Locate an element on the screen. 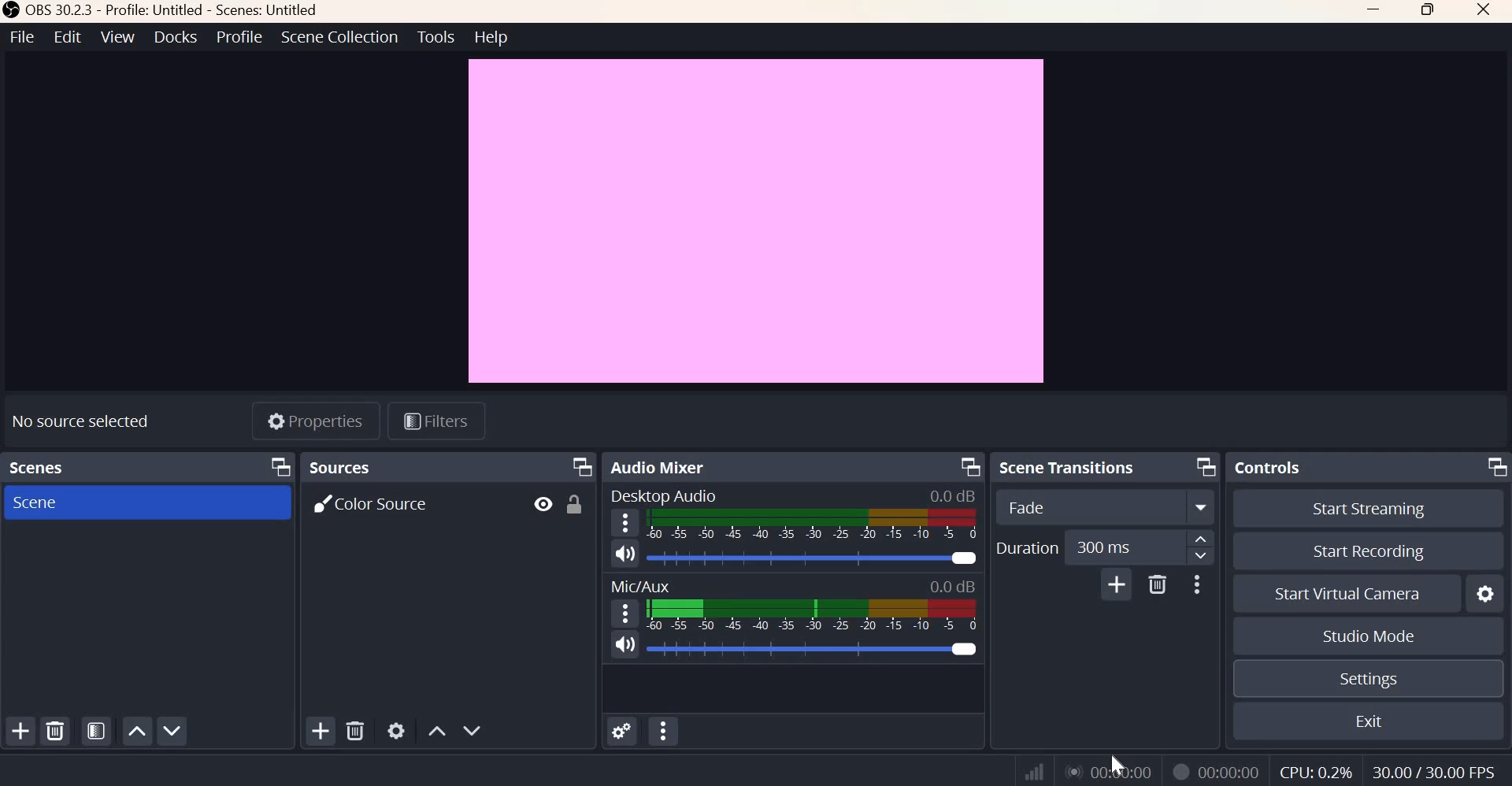  Volume Meter is located at coordinates (813, 526).